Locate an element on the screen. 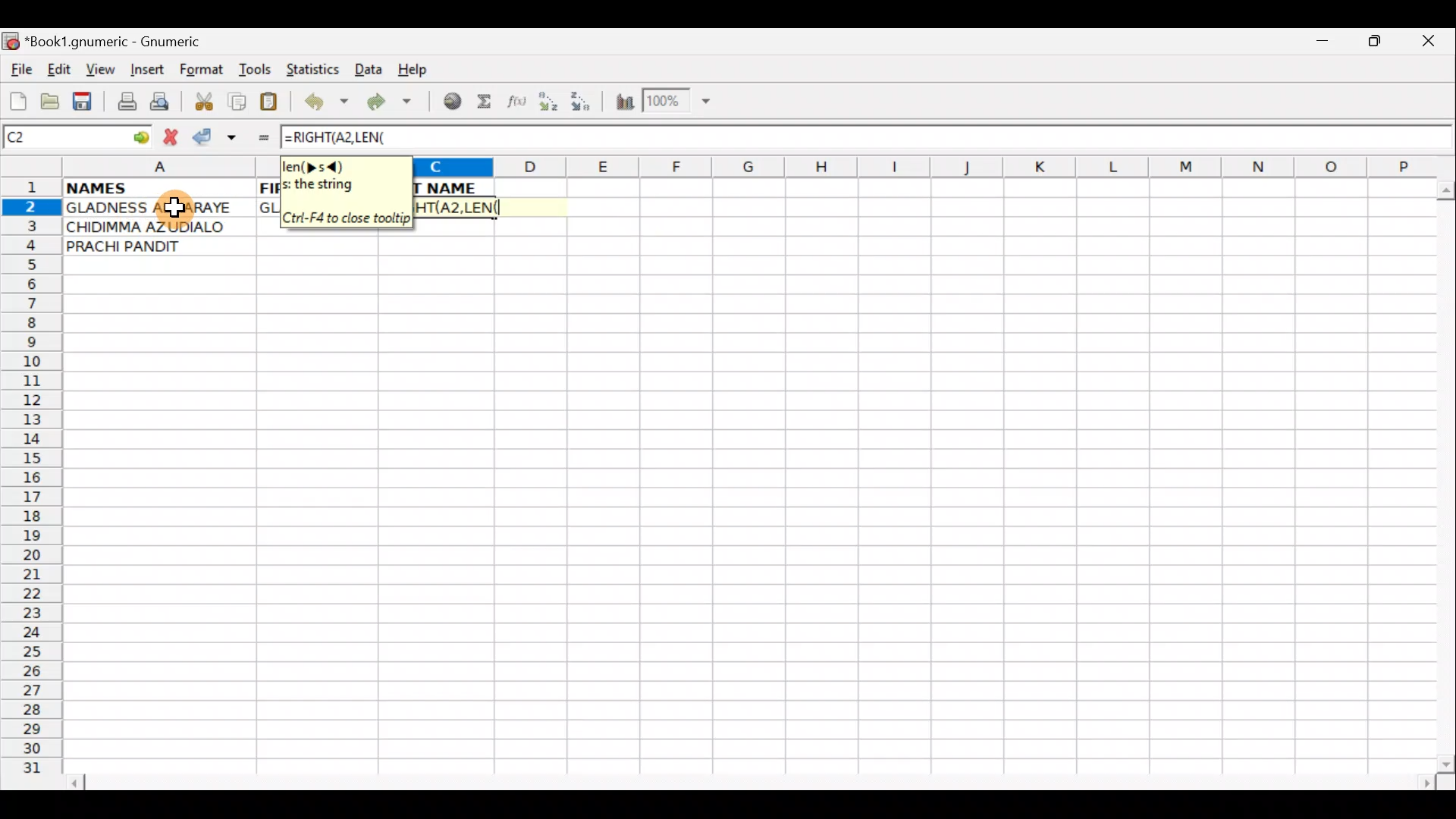 Image resolution: width=1456 pixels, height=819 pixels. Sum in the current cell is located at coordinates (489, 102).